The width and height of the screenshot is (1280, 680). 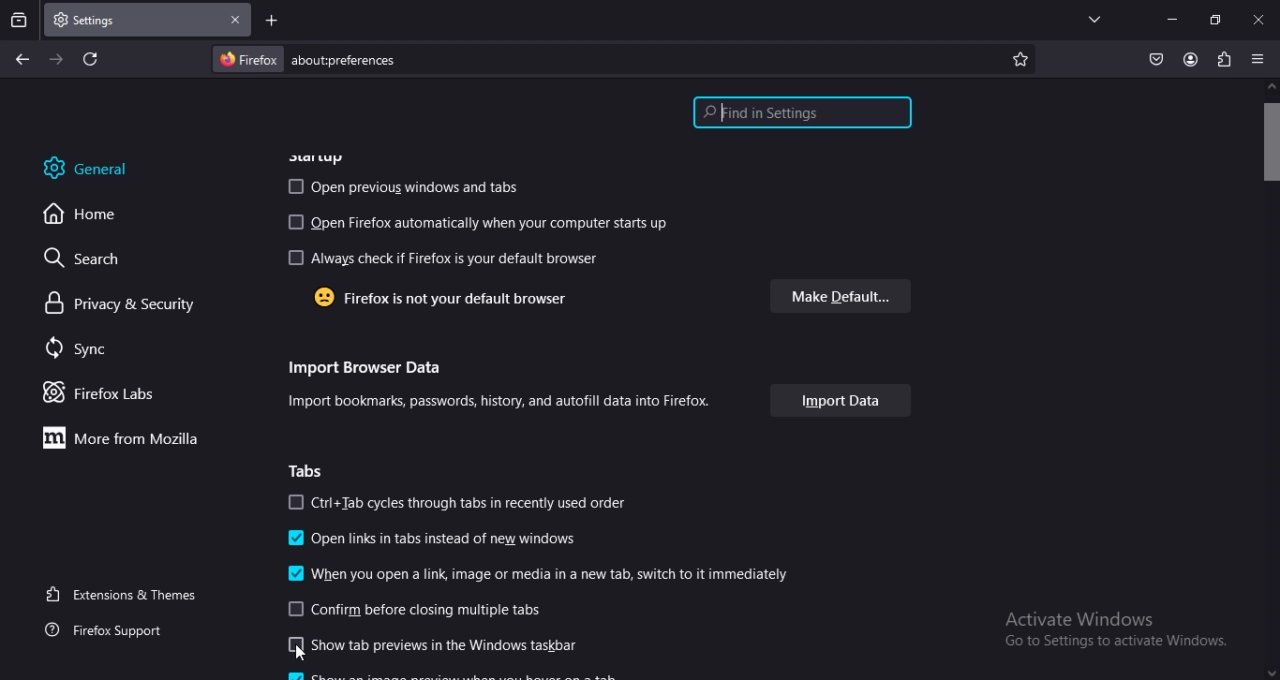 What do you see at coordinates (1022, 57) in the screenshot?
I see `bookmark page` at bounding box center [1022, 57].